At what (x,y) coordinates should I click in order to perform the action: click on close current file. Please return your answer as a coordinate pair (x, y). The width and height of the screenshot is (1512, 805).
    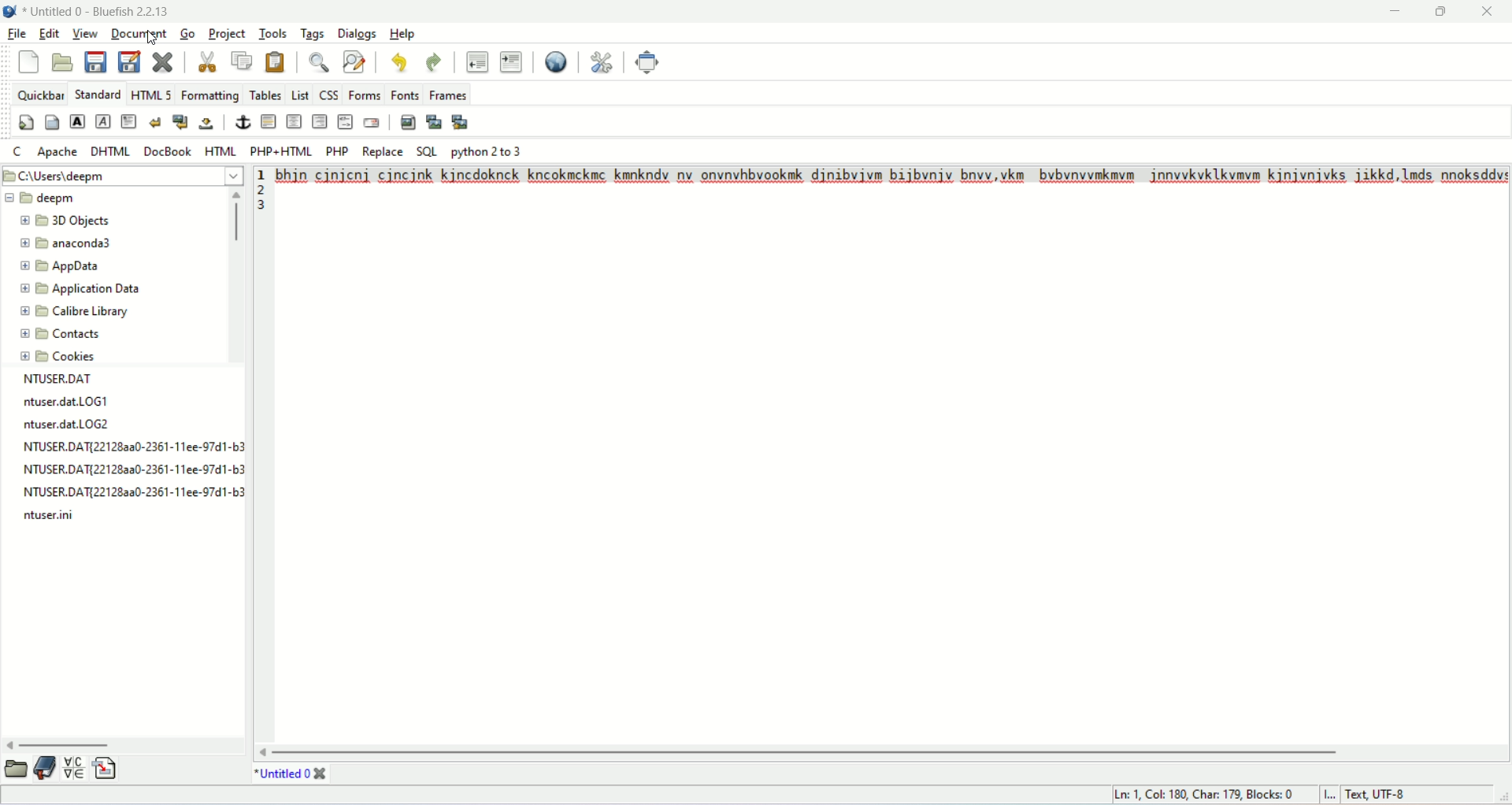
    Looking at the image, I should click on (166, 62).